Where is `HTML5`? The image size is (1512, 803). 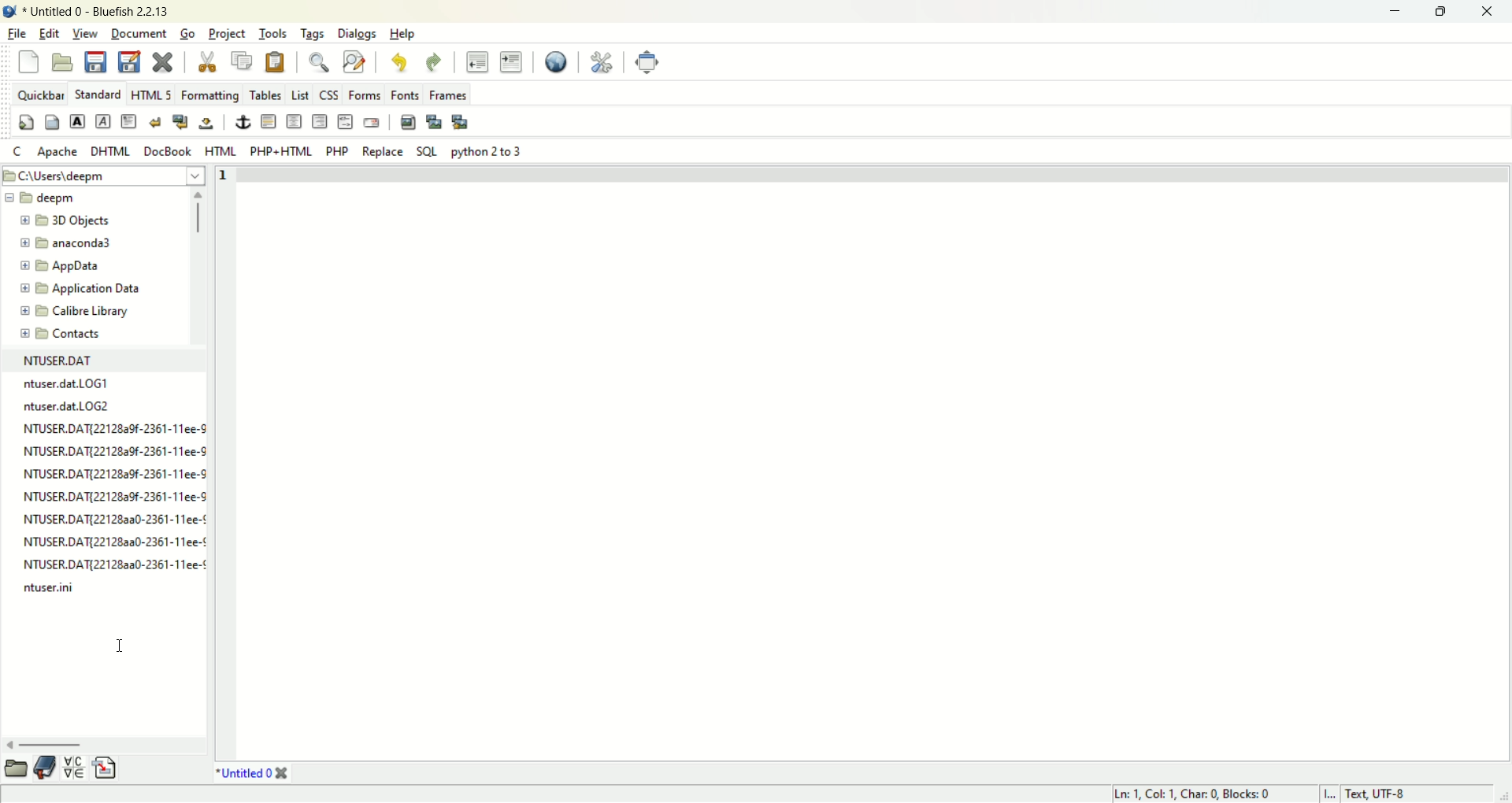
HTML5 is located at coordinates (150, 94).